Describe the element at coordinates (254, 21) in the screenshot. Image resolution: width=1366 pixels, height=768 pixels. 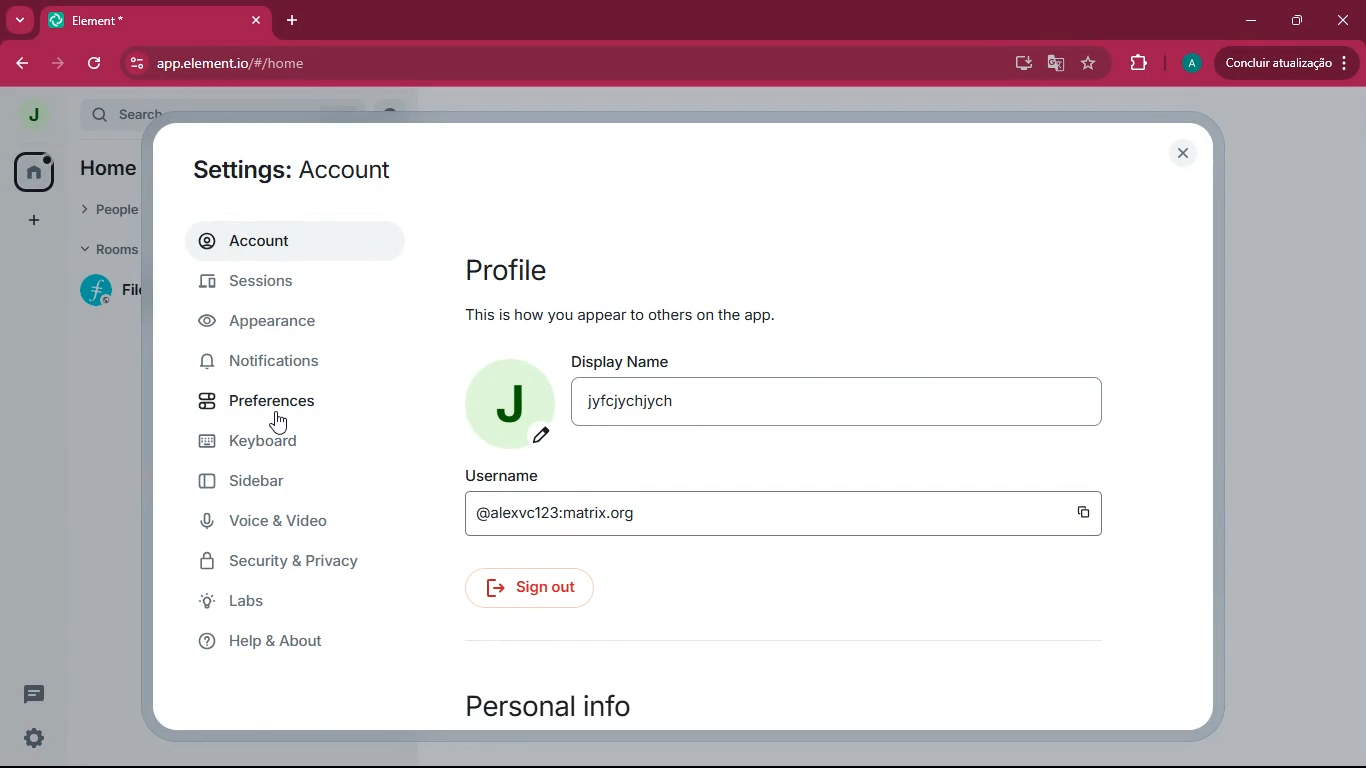
I see `Close` at that location.